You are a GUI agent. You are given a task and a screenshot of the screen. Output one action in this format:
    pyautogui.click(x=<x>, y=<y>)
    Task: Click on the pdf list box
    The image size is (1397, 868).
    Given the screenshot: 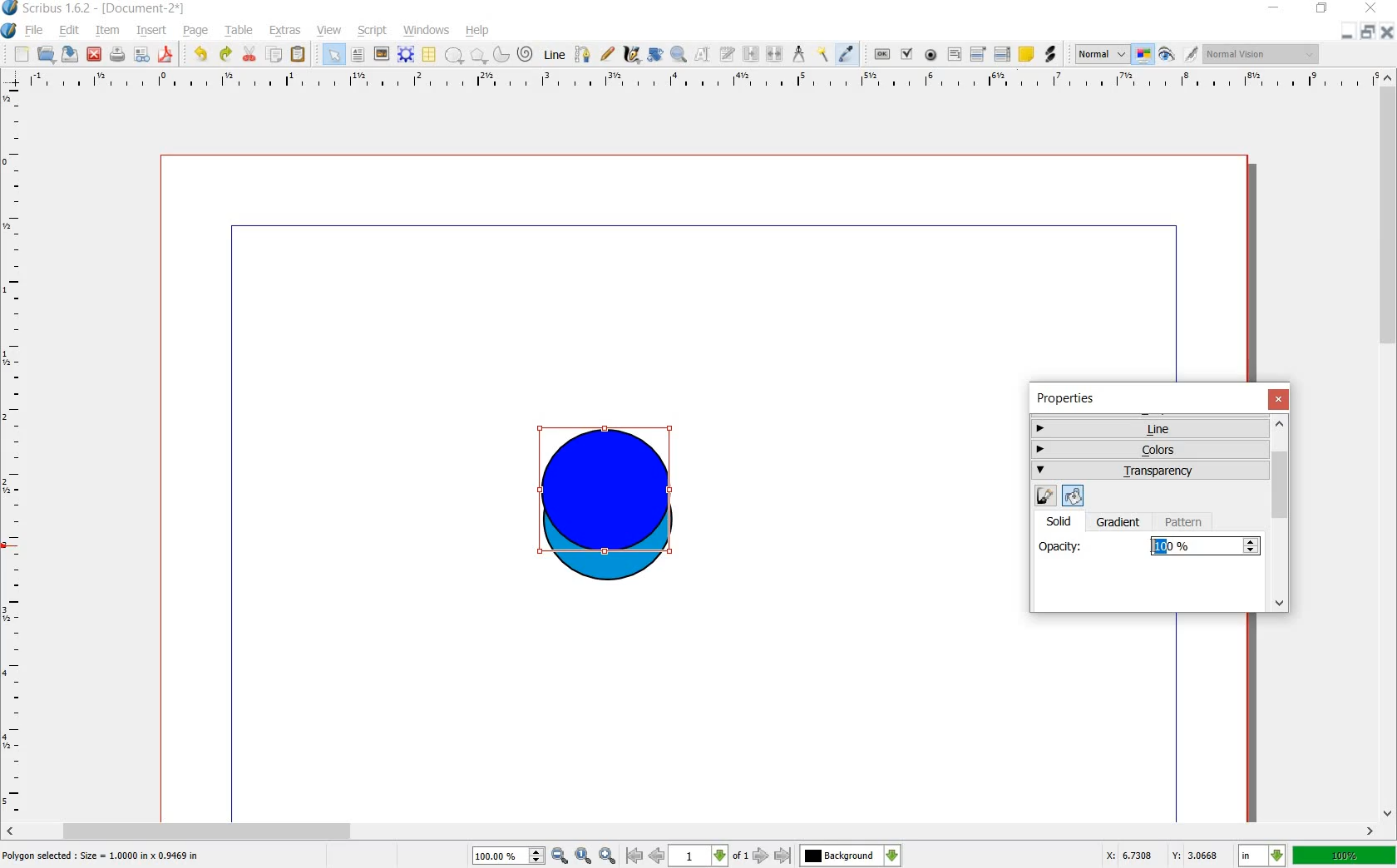 What is the action you would take?
    pyautogui.click(x=1002, y=52)
    